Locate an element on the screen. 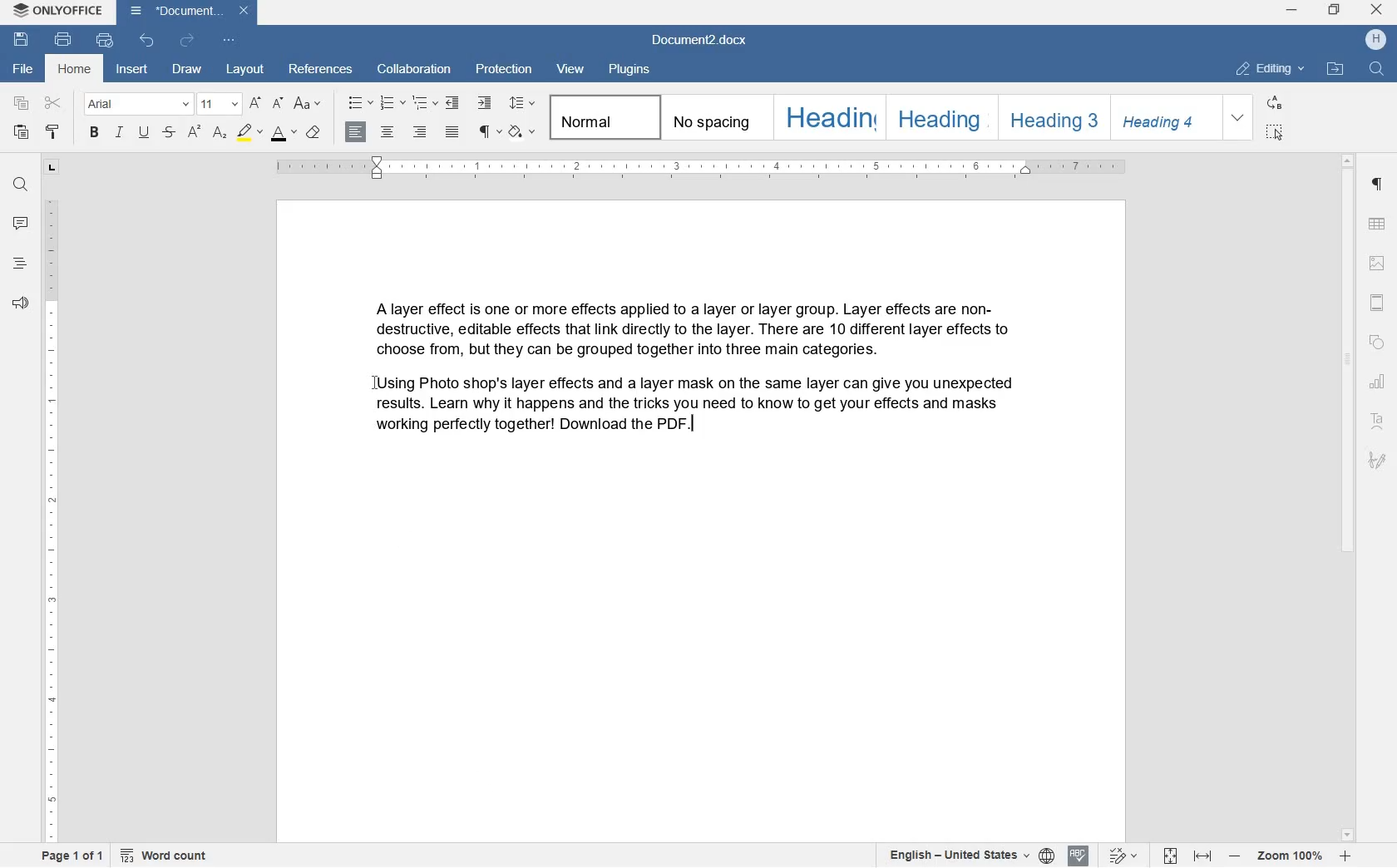 The width and height of the screenshot is (1397, 868). FEEDBACK & SUPPORT is located at coordinates (21, 304).